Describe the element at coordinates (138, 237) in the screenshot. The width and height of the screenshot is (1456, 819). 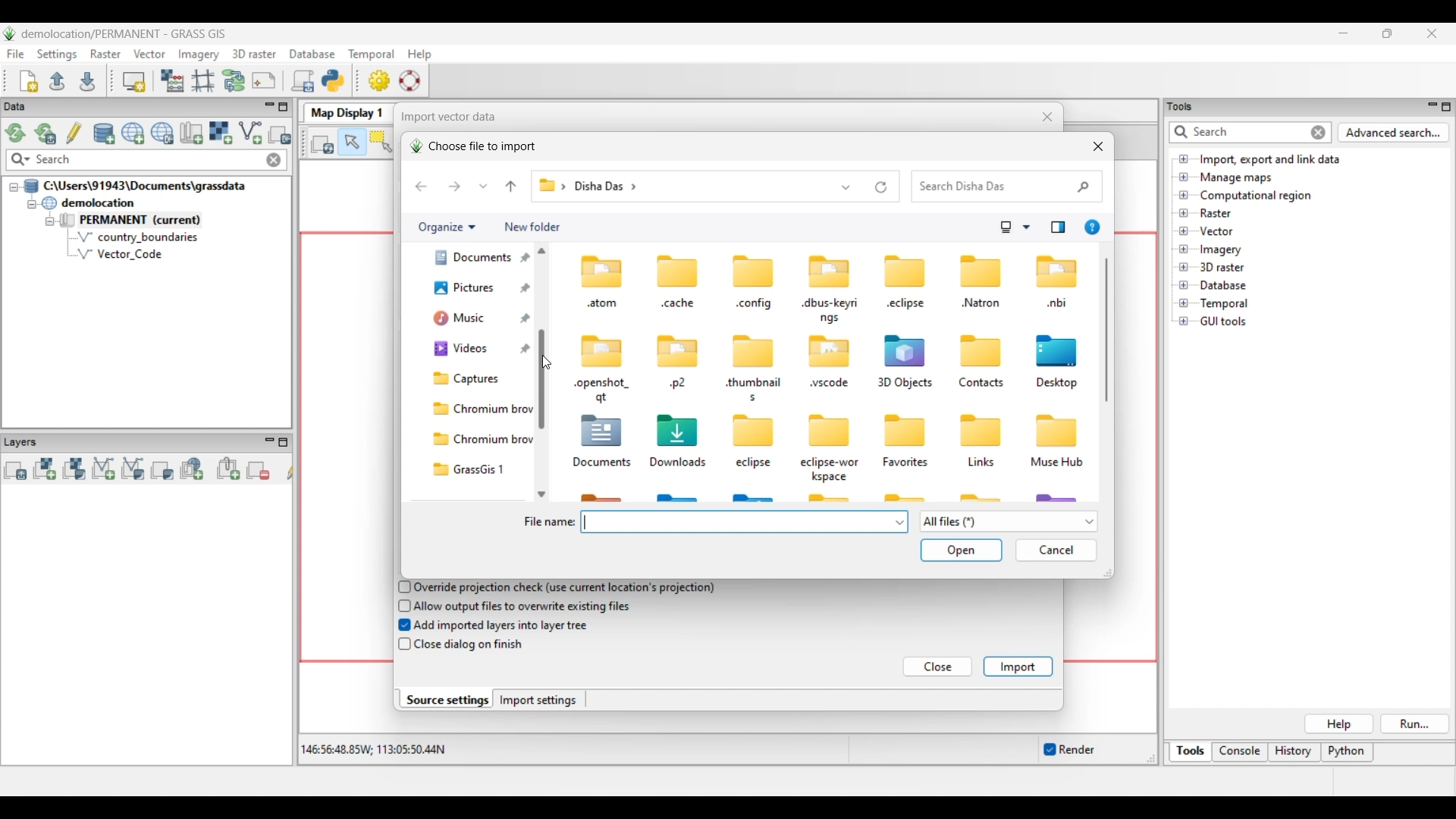
I see `country_boundaries` at that location.